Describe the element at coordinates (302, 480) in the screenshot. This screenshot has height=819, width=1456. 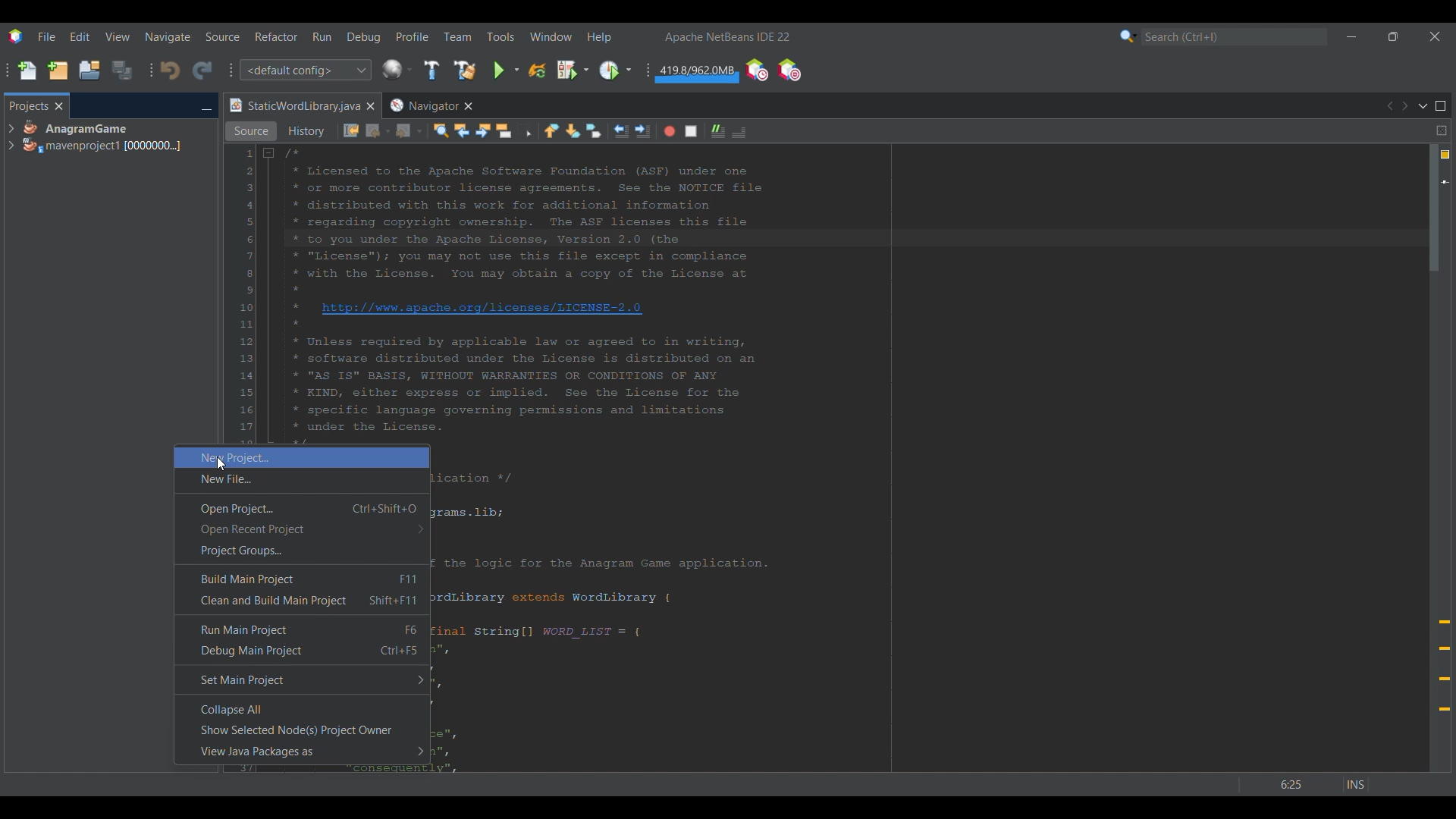
I see `New file` at that location.